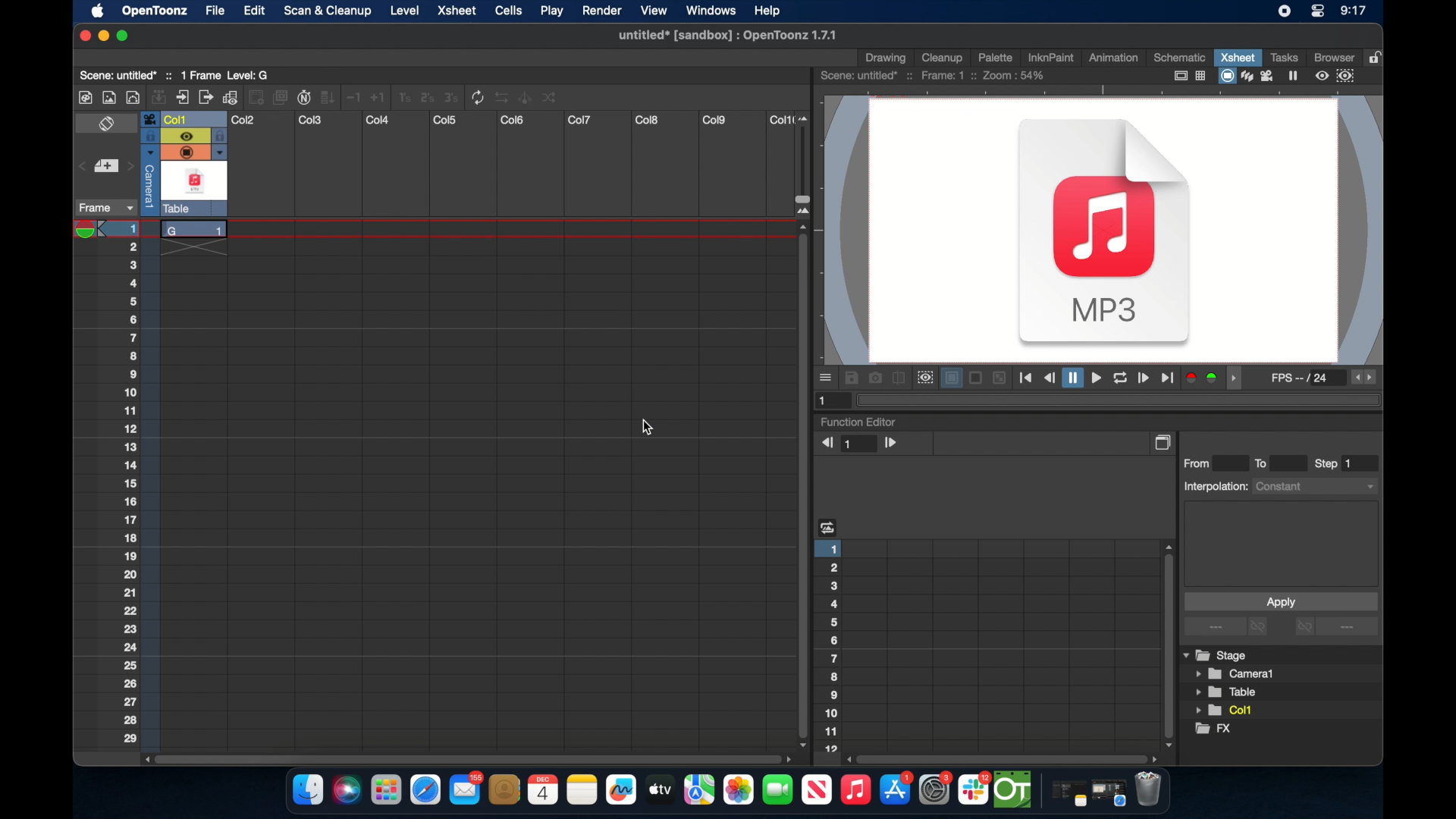  What do you see at coordinates (934, 76) in the screenshot?
I see `scene` at bounding box center [934, 76].